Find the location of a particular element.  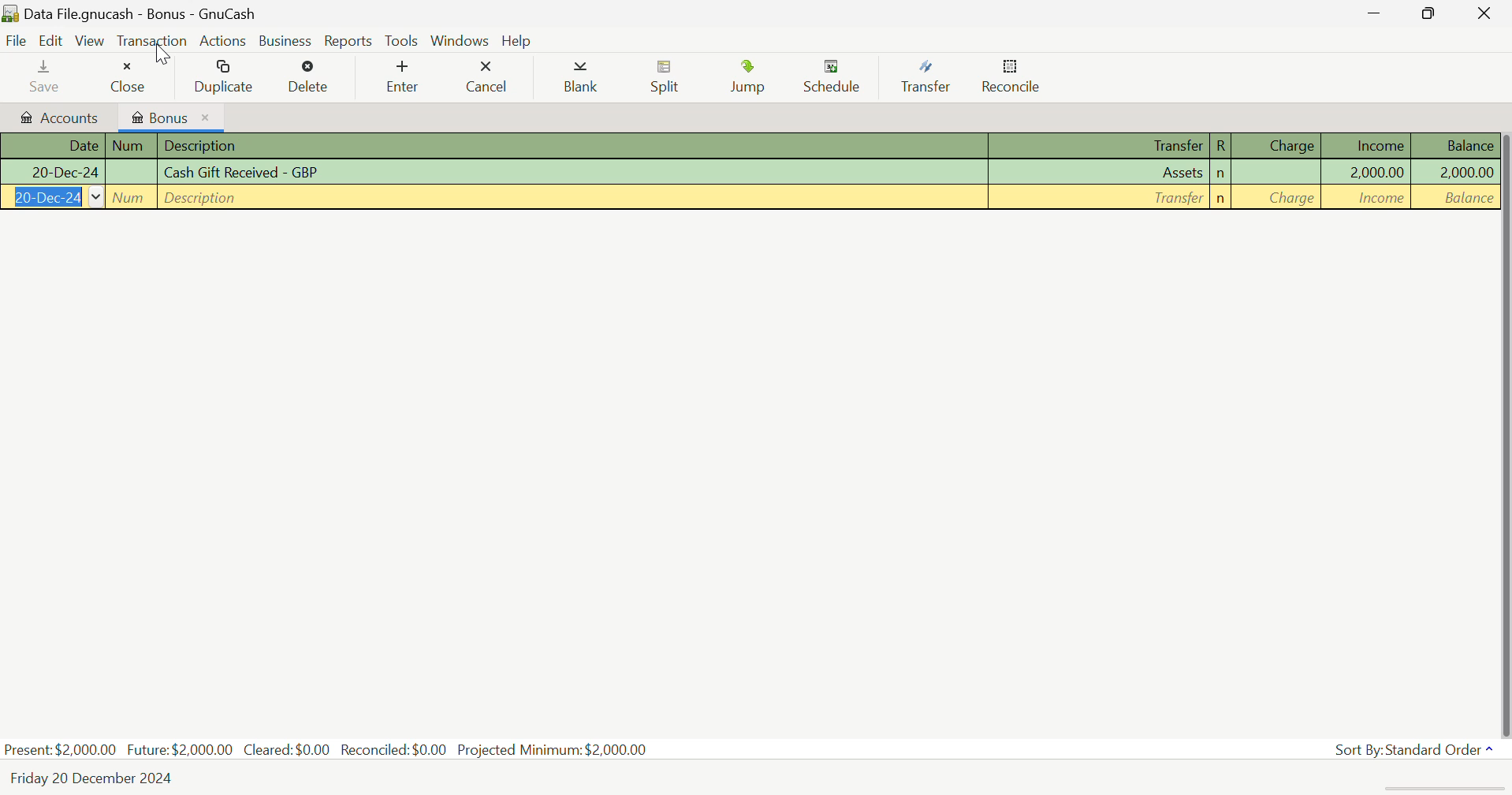

Description is located at coordinates (572, 198).